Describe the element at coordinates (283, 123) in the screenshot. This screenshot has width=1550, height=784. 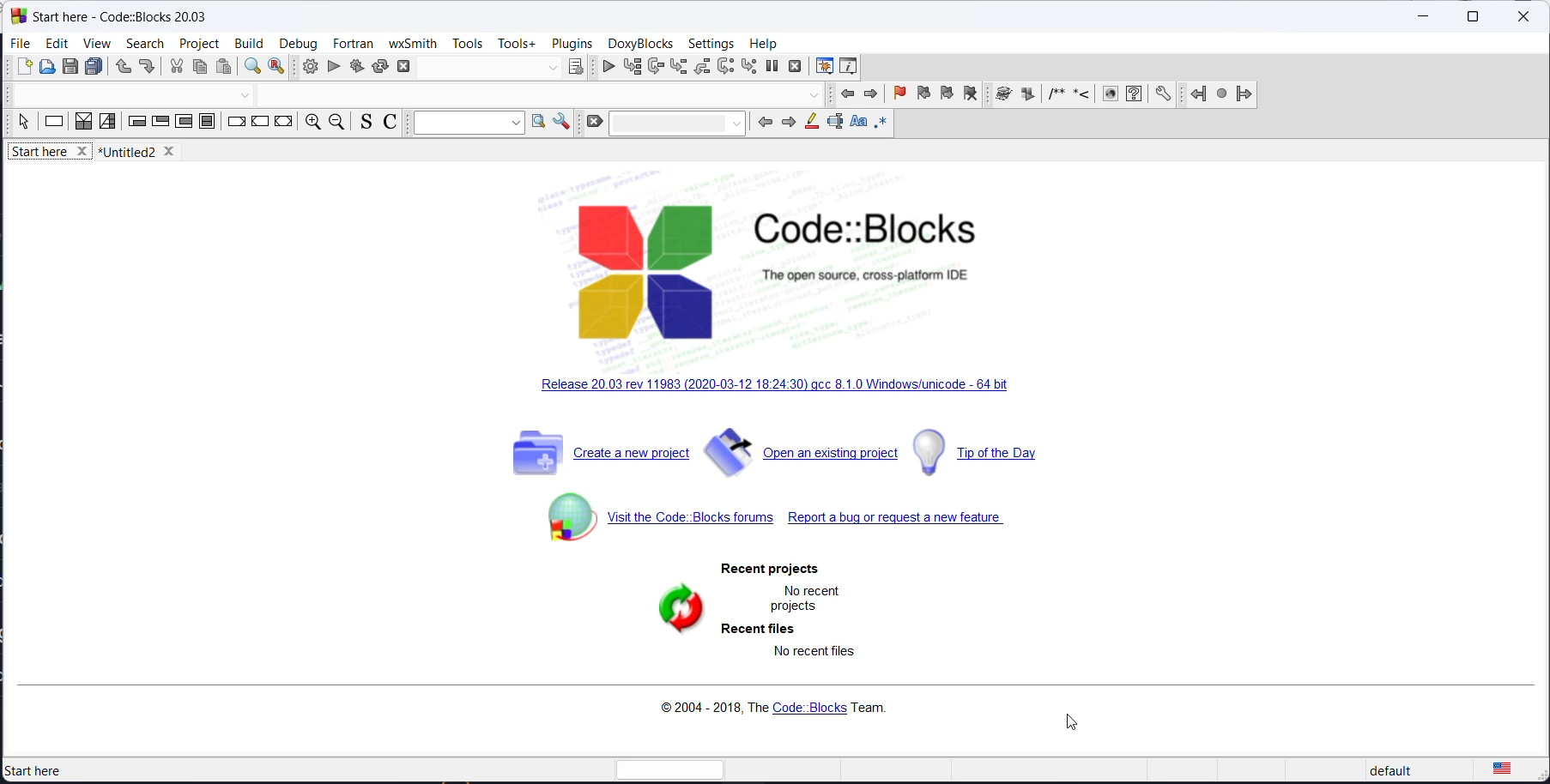
I see `return instruction` at that location.